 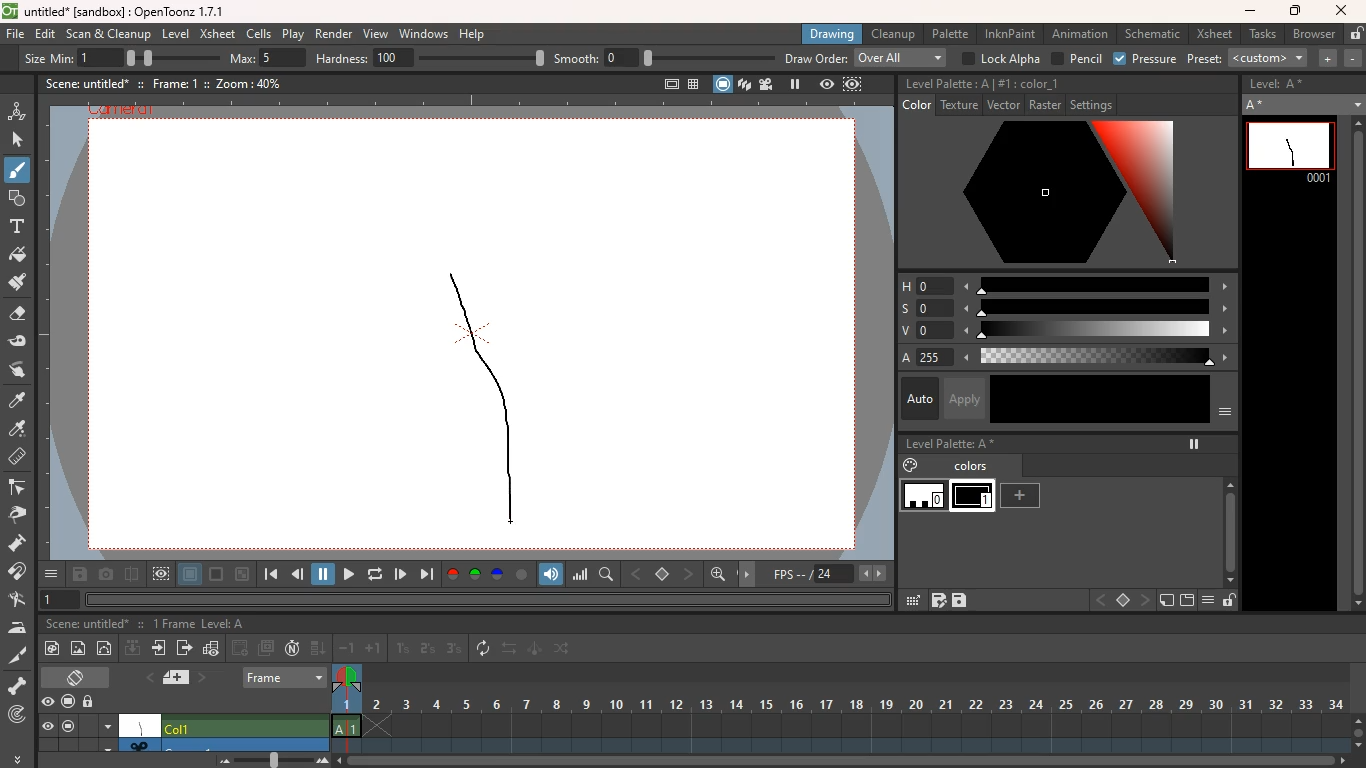 What do you see at coordinates (967, 398) in the screenshot?
I see `apply` at bounding box center [967, 398].